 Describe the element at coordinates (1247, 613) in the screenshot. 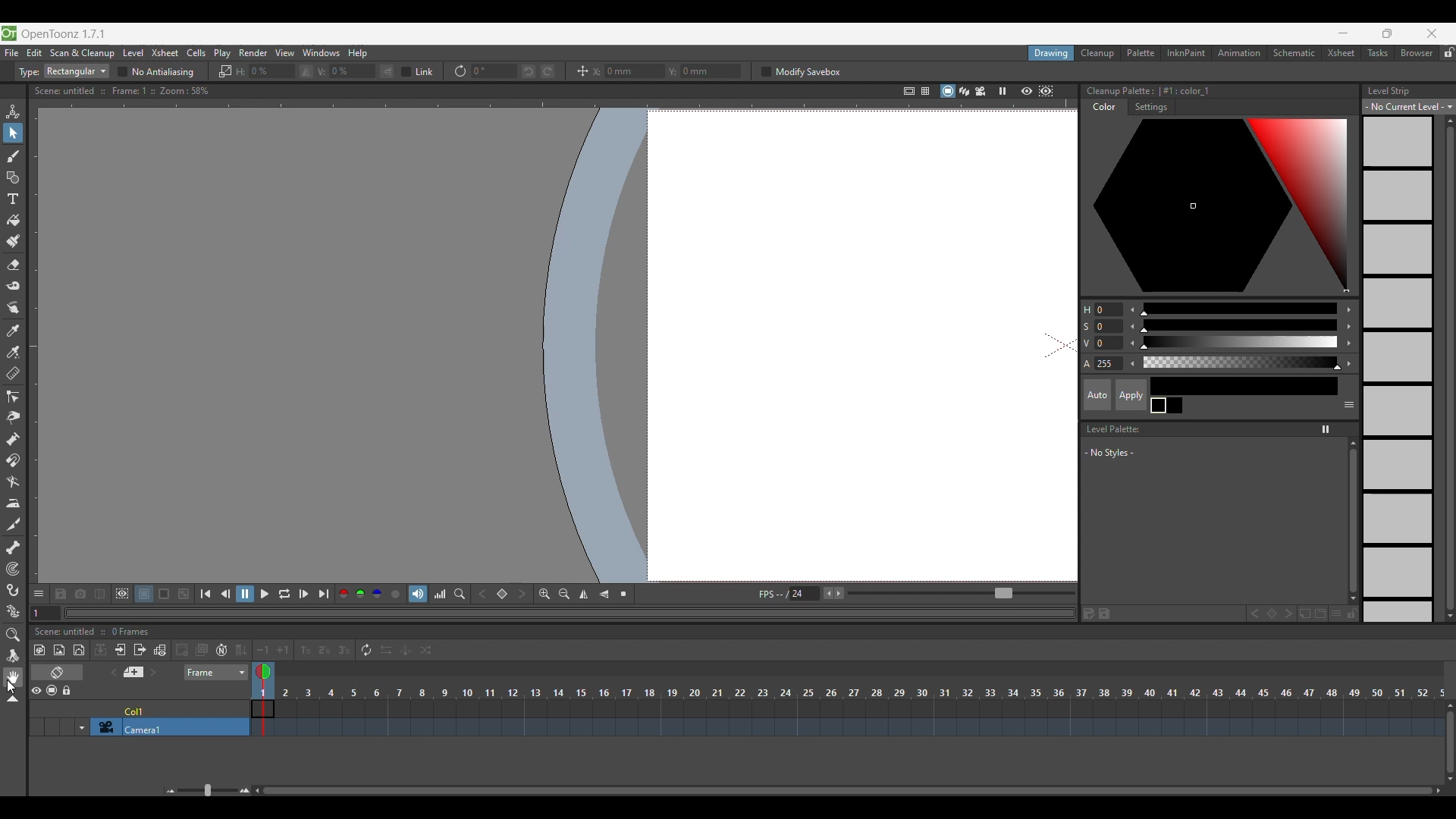

I see `Previous key` at that location.